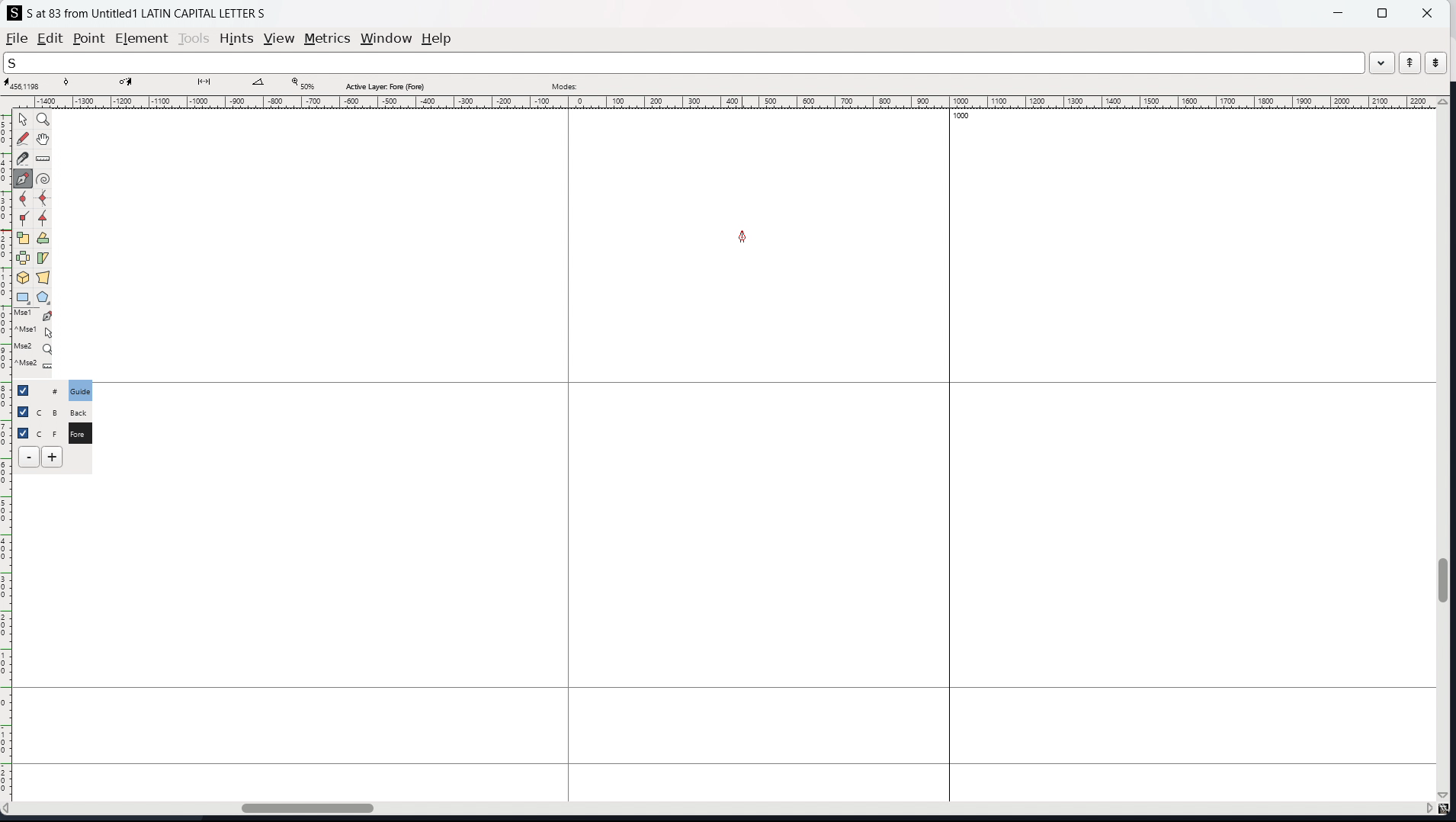 The width and height of the screenshot is (1456, 822). What do you see at coordinates (45, 140) in the screenshot?
I see `scroll by hand` at bounding box center [45, 140].